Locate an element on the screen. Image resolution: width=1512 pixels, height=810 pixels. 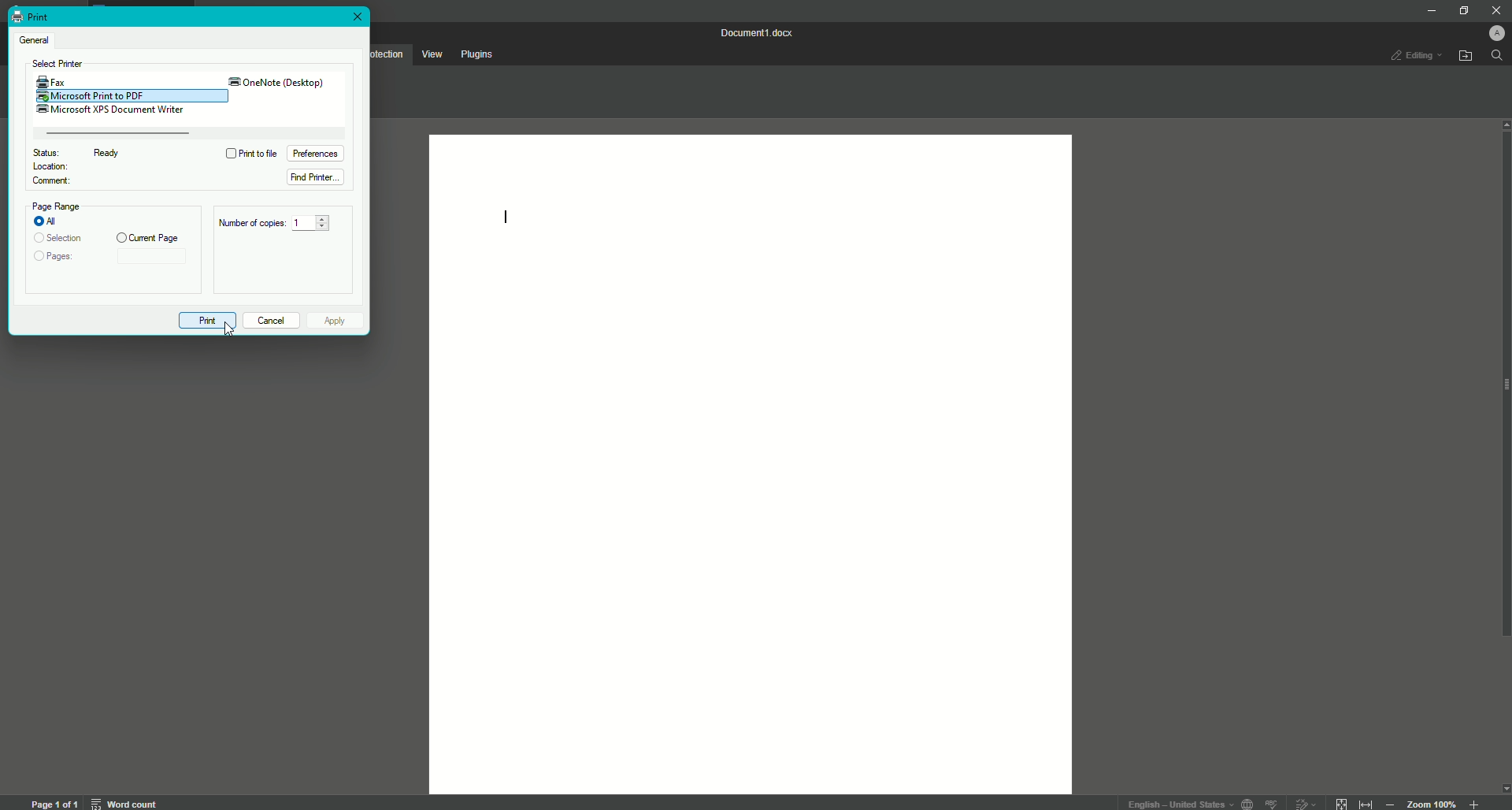
Apply is located at coordinates (339, 318).